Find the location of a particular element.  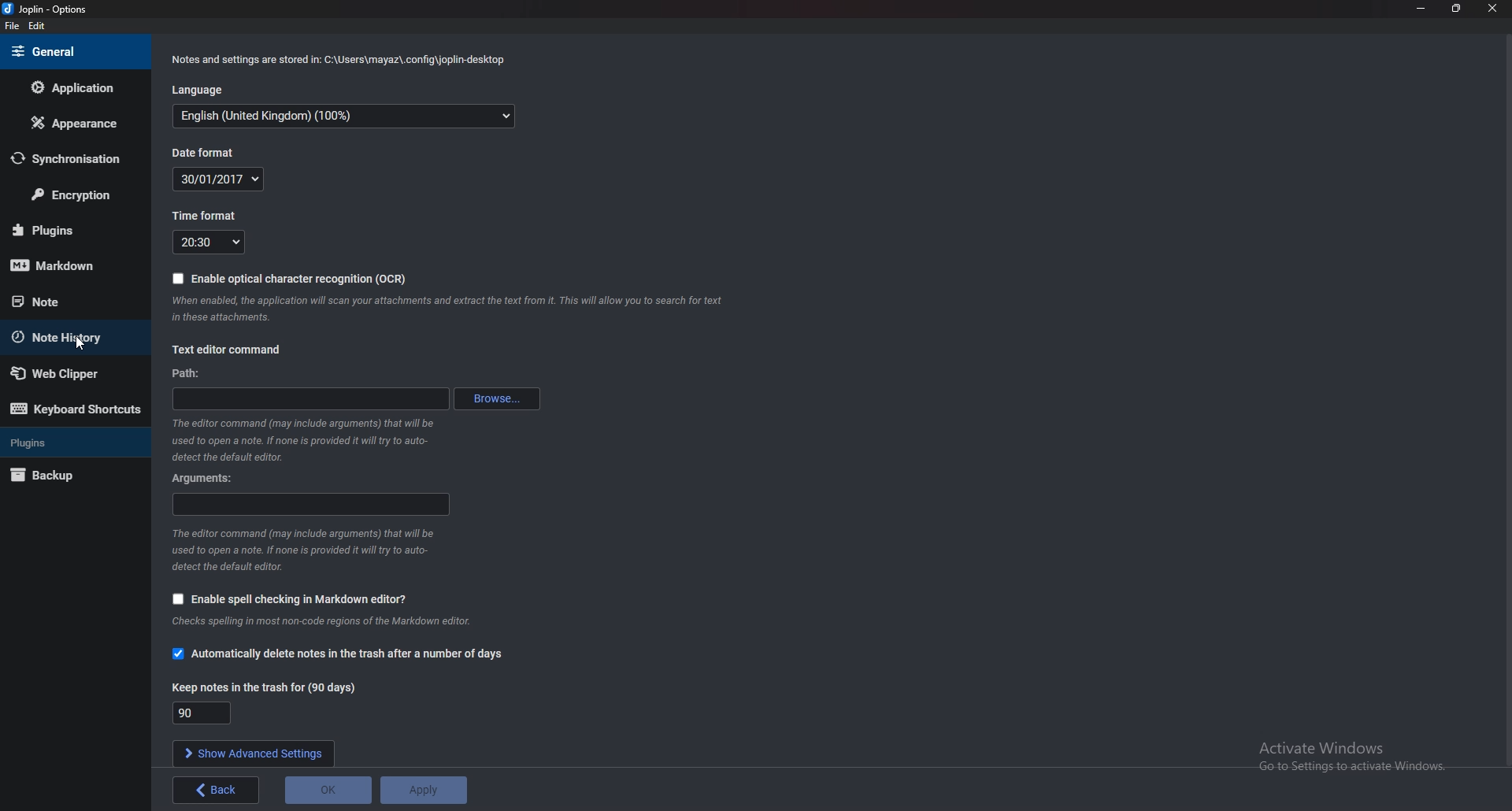

Encryption is located at coordinates (72, 197).